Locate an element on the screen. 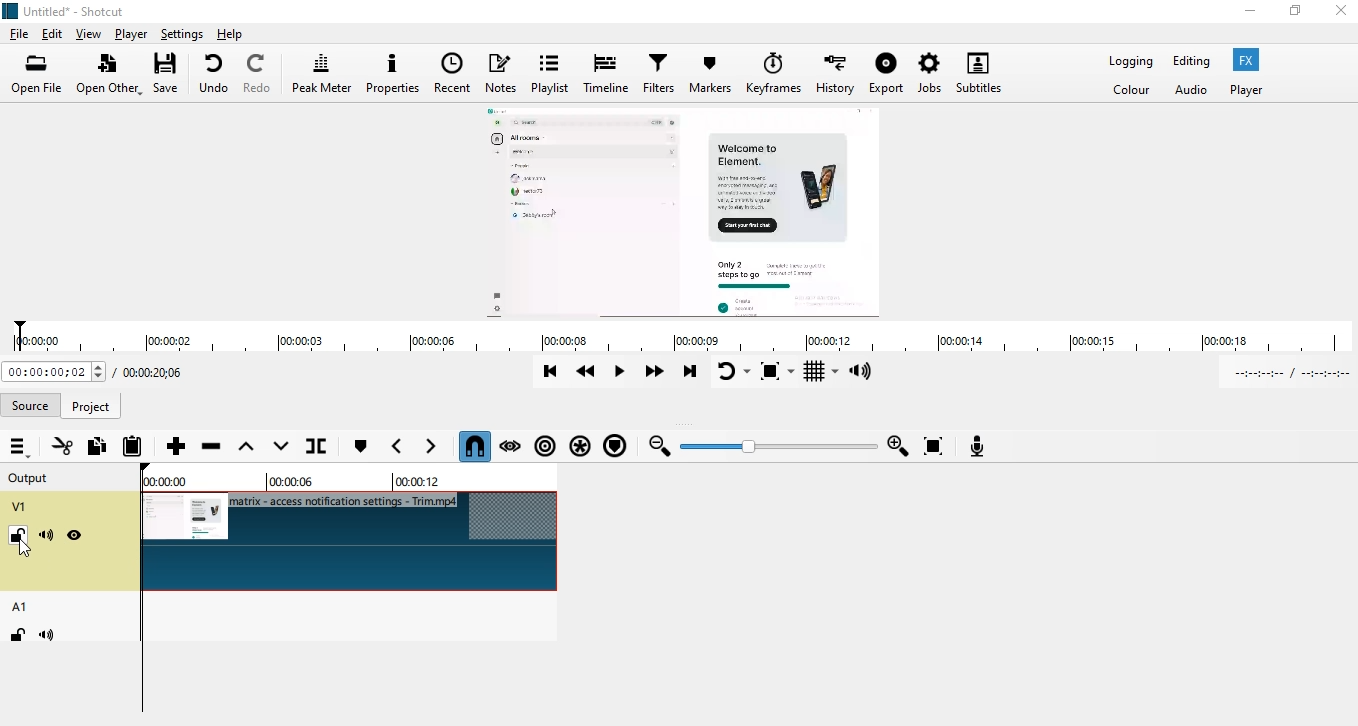  ripple is located at coordinates (546, 448).